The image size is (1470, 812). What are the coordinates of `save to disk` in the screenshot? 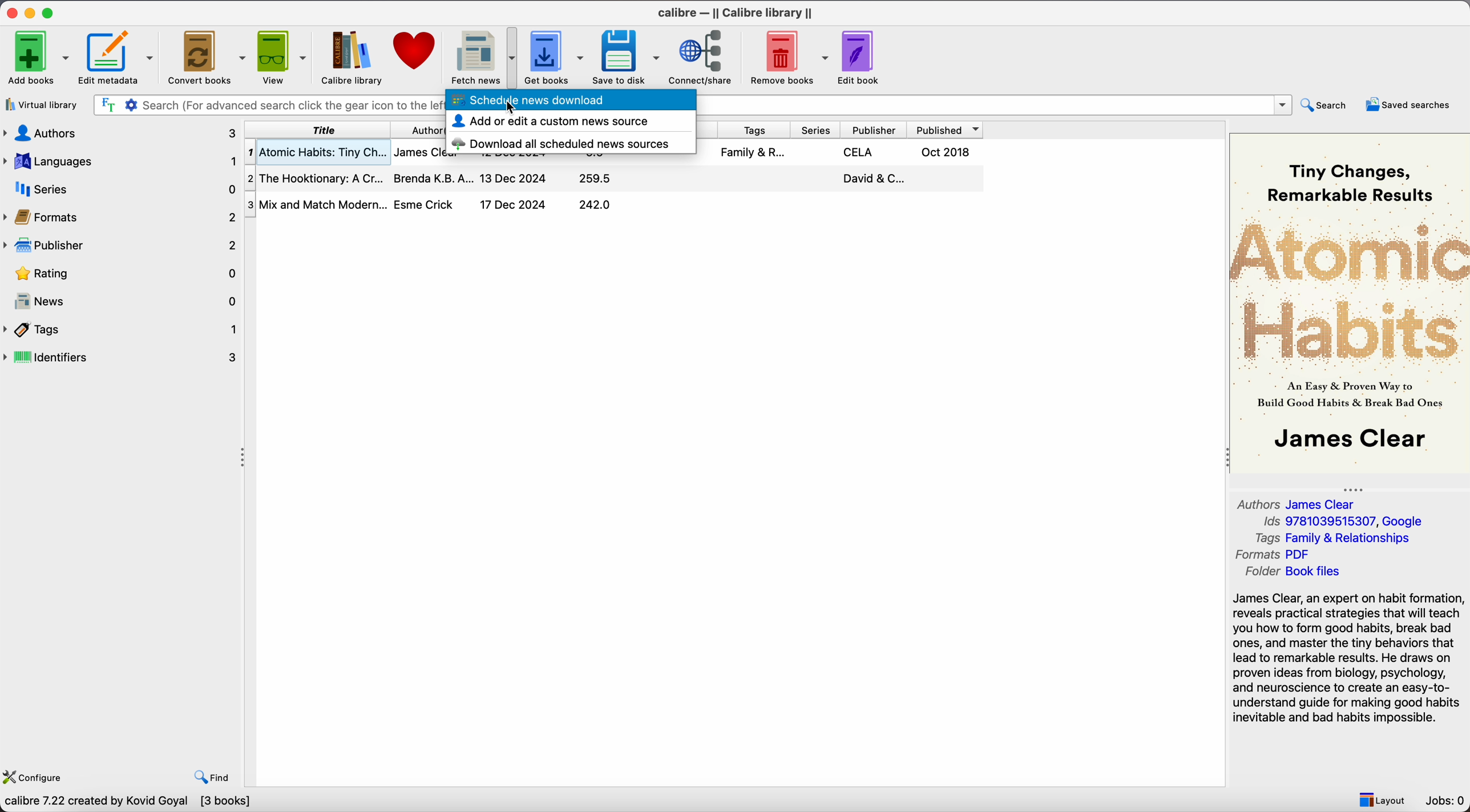 It's located at (627, 57).